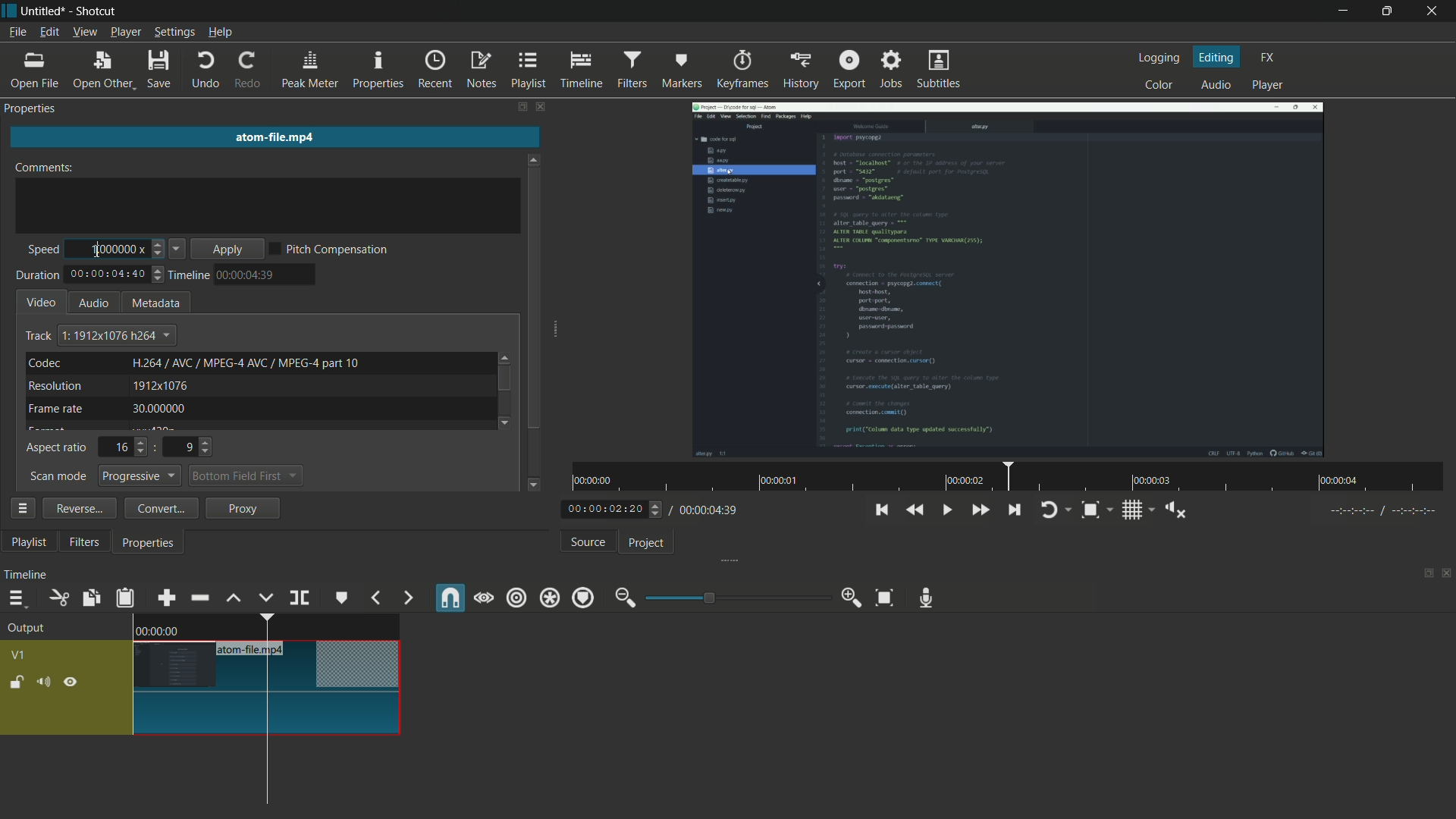 The width and height of the screenshot is (1456, 819). Describe the element at coordinates (1159, 58) in the screenshot. I see `logging` at that location.